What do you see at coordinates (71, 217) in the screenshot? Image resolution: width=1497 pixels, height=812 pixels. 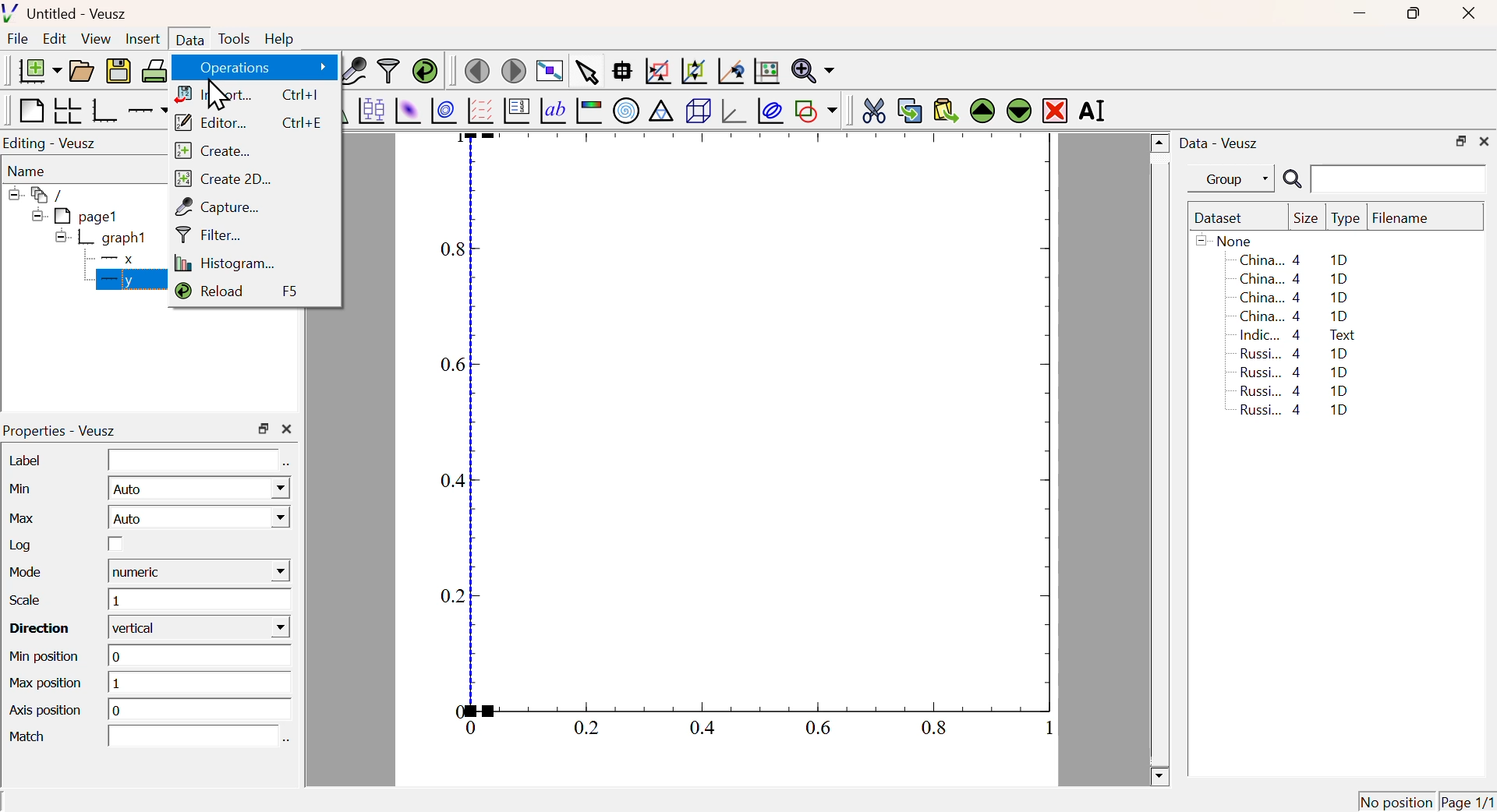 I see `pagel` at bounding box center [71, 217].